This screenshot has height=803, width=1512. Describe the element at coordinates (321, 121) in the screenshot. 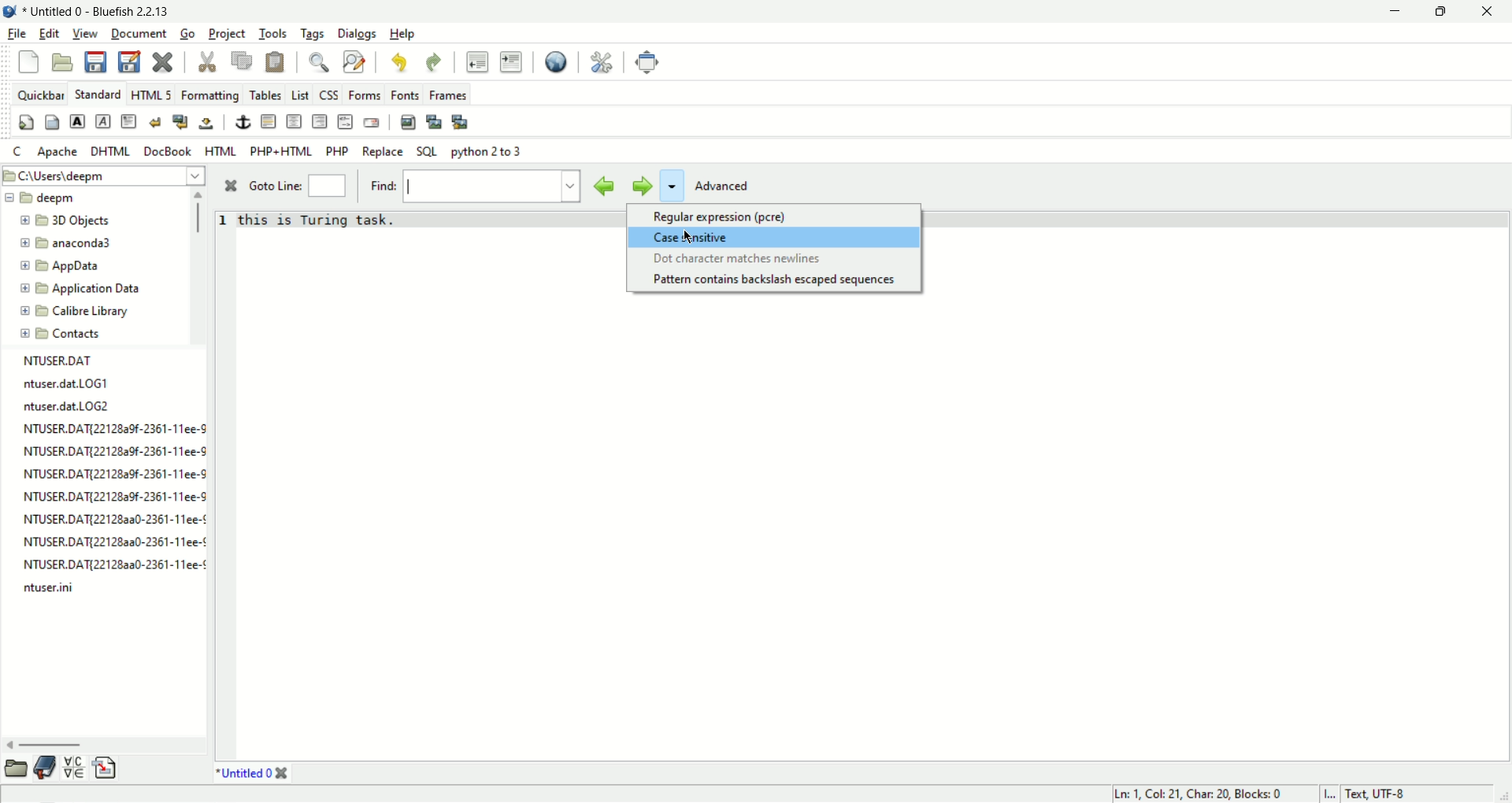

I see `right justify` at that location.